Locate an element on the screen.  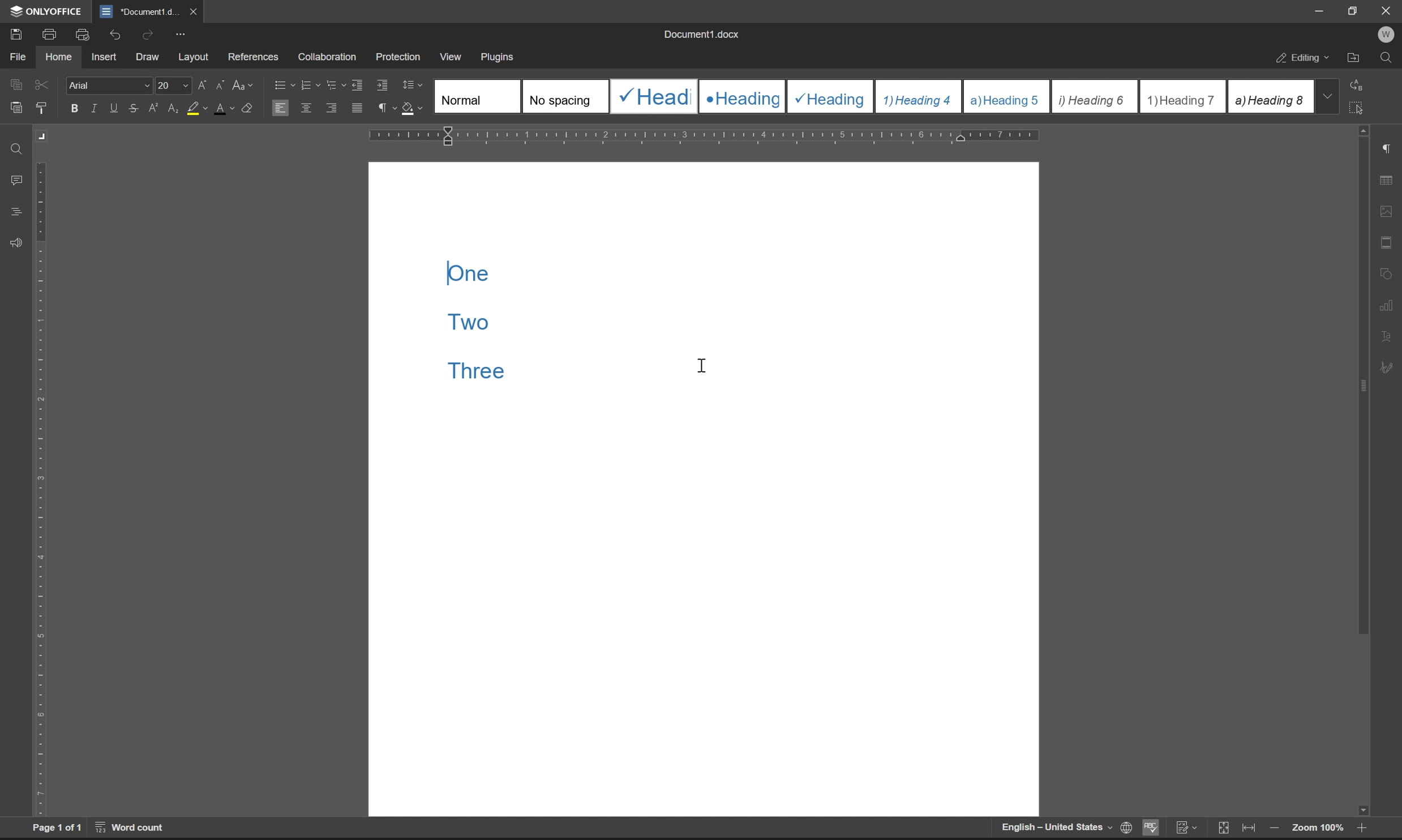
spell checking is located at coordinates (1150, 827).